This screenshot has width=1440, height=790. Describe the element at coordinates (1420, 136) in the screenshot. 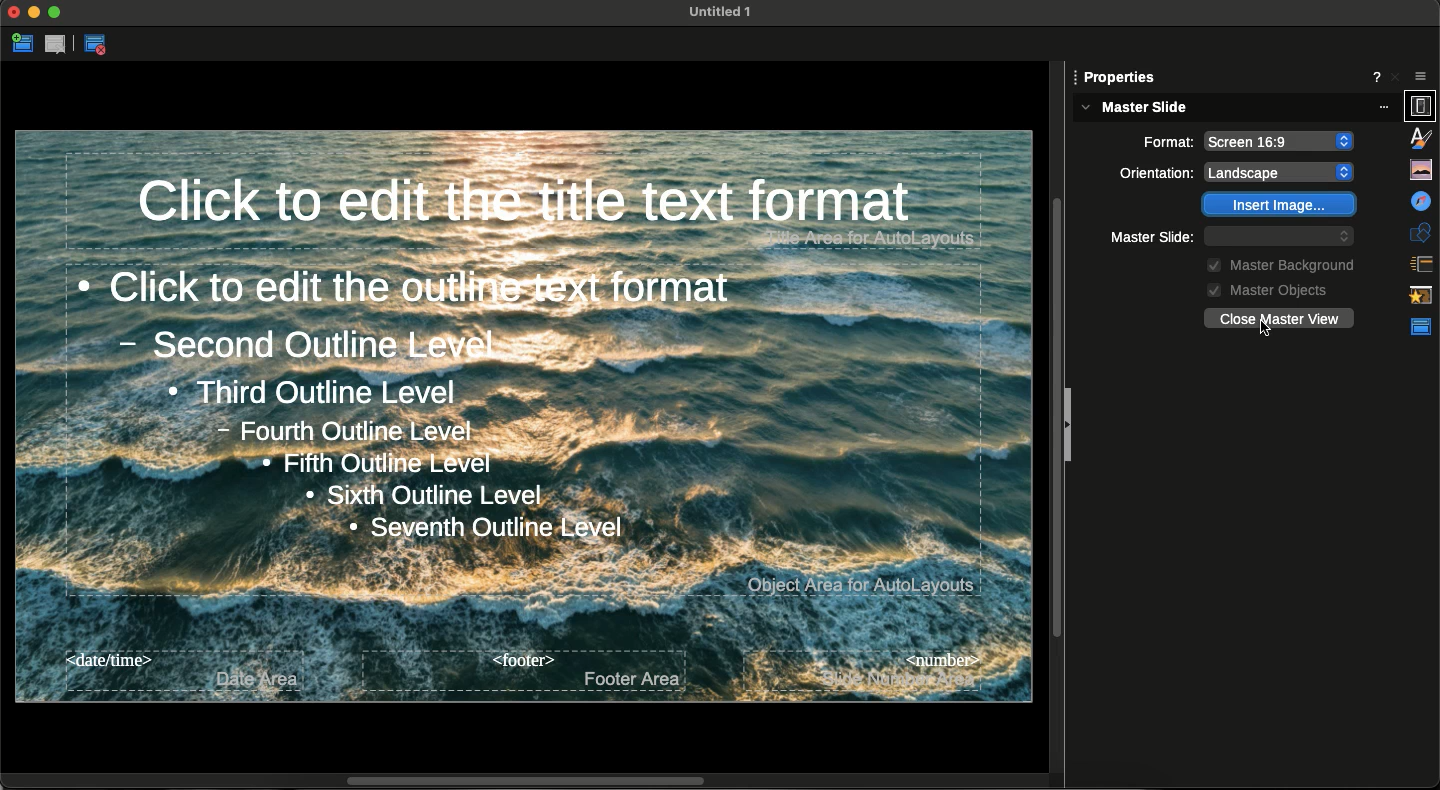

I see `Gallery` at that location.